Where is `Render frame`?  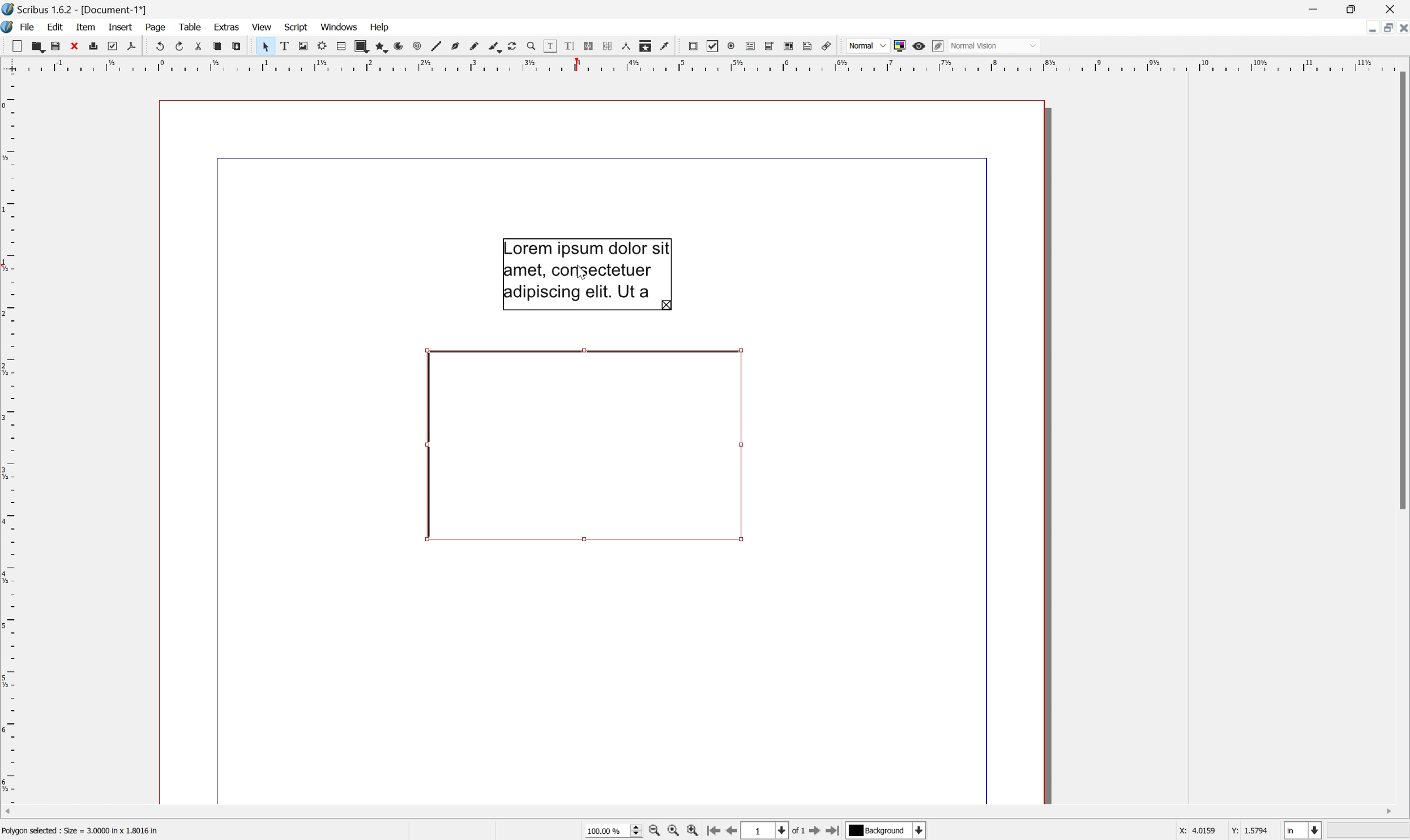 Render frame is located at coordinates (320, 48).